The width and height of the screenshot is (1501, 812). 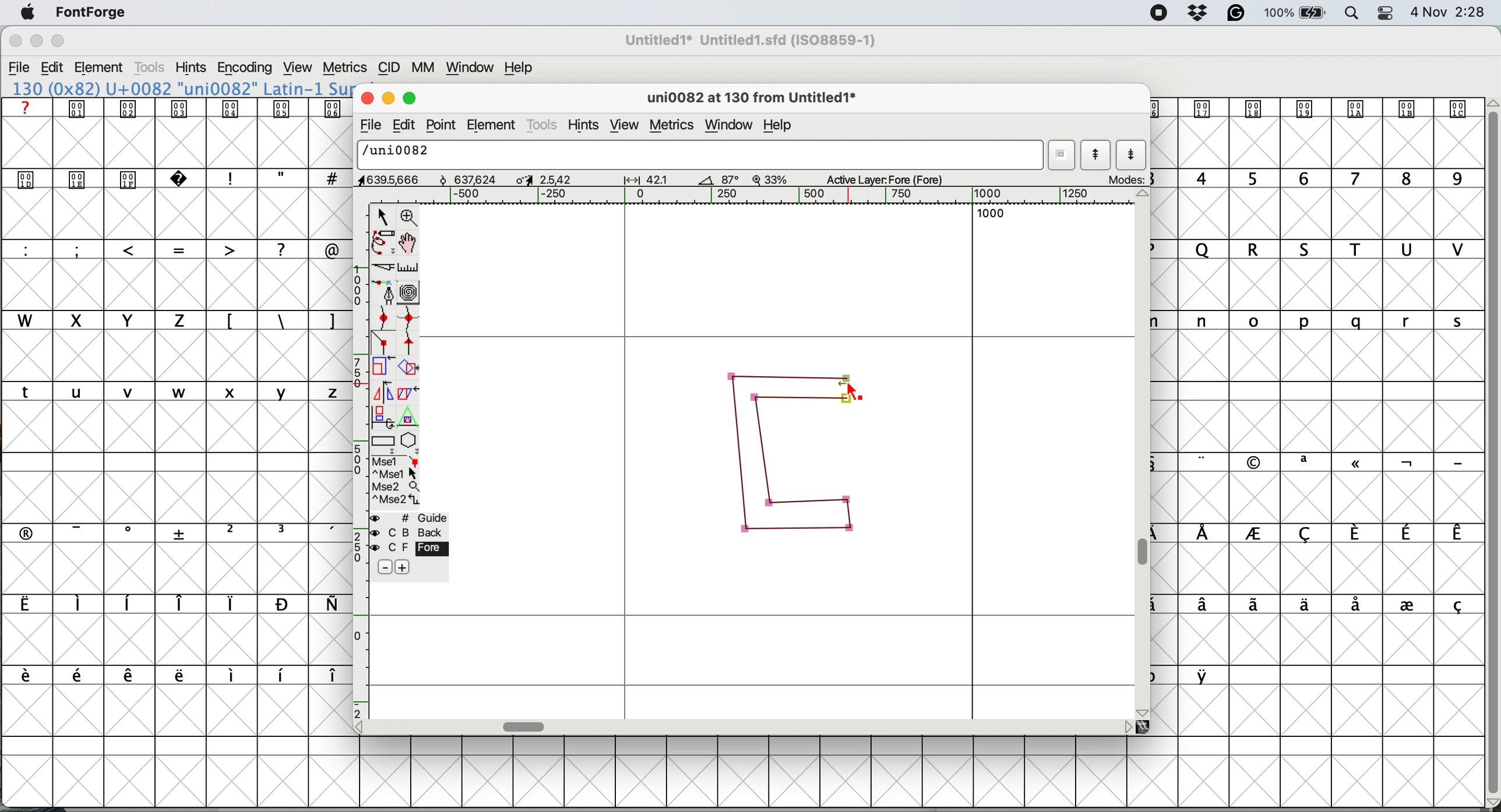 What do you see at coordinates (28, 13) in the screenshot?
I see `system logo` at bounding box center [28, 13].